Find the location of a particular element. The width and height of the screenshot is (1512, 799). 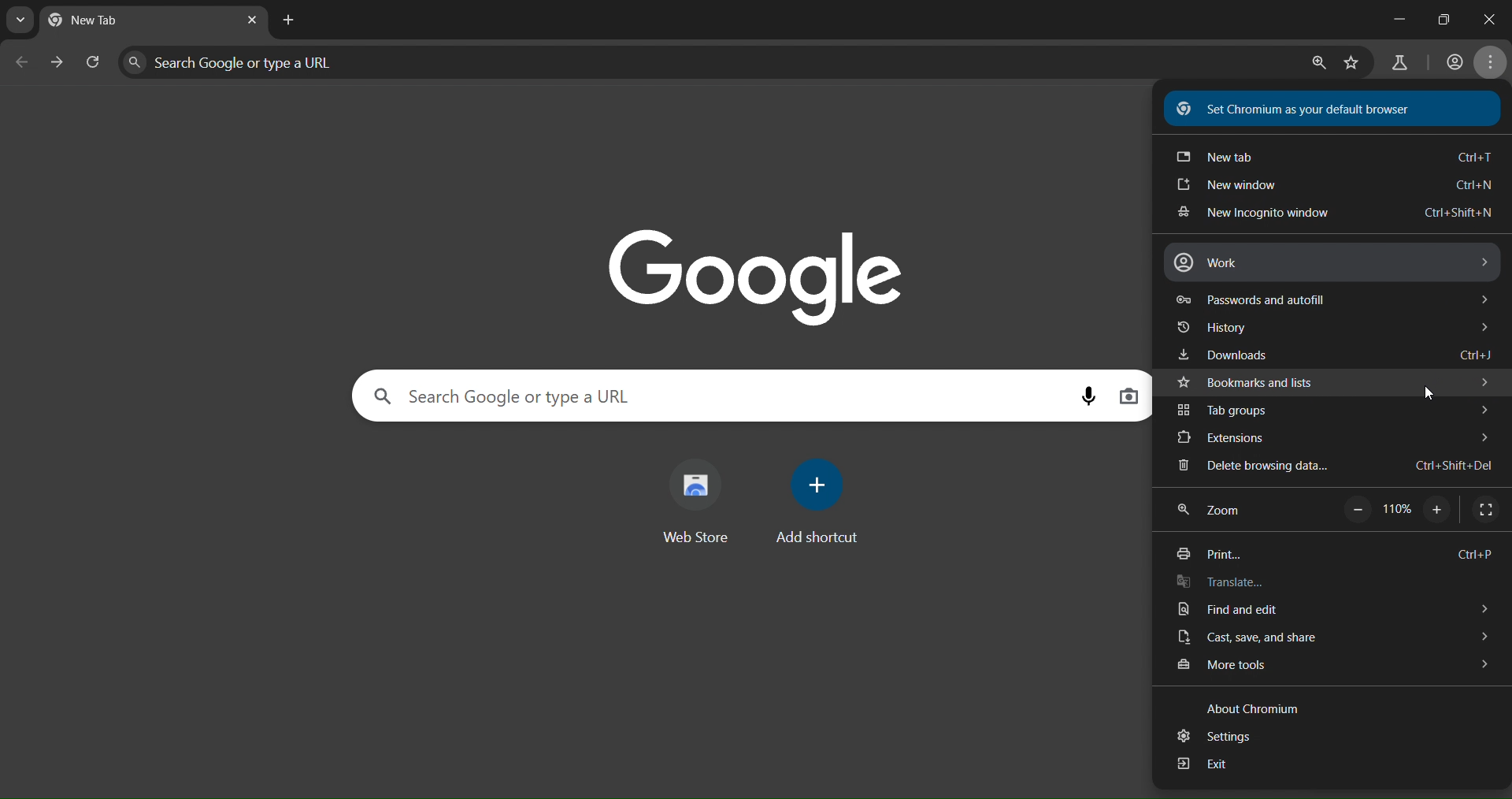

bookmarks and lists is located at coordinates (1336, 382).